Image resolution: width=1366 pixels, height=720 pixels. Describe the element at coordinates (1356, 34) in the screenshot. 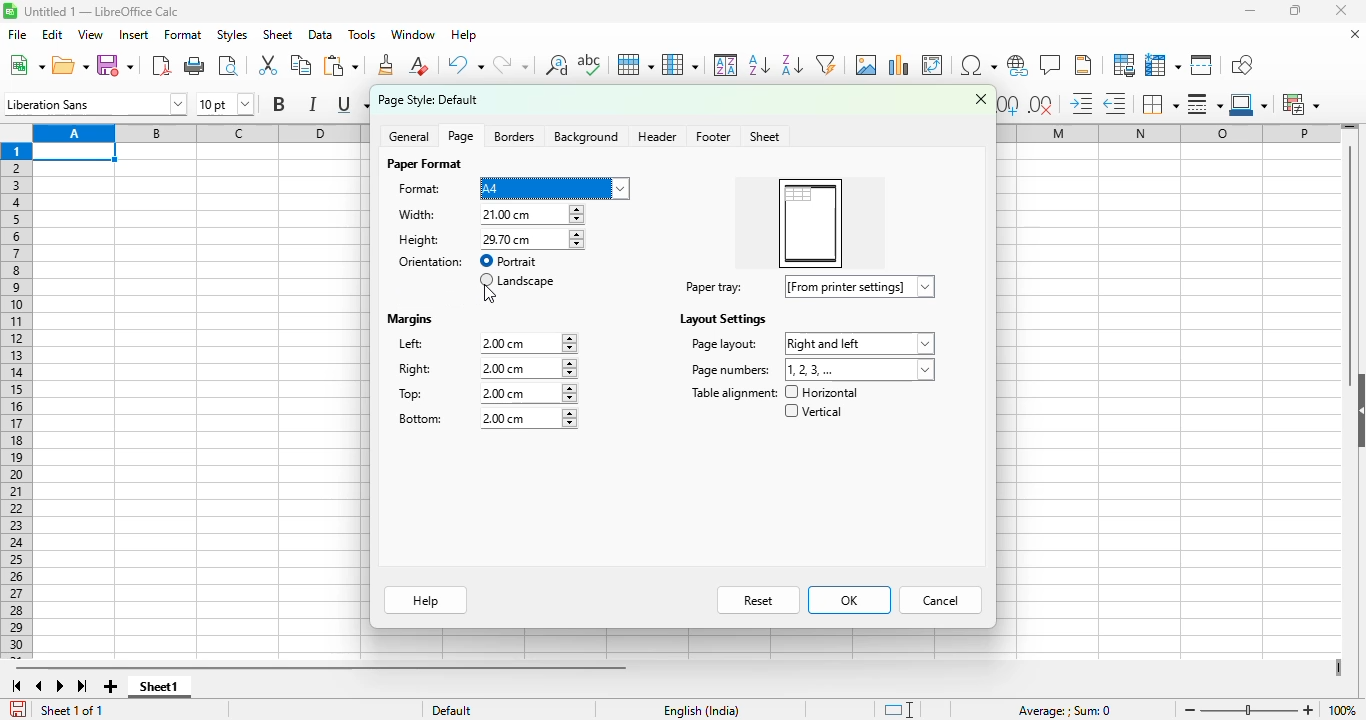

I see `close document` at that location.